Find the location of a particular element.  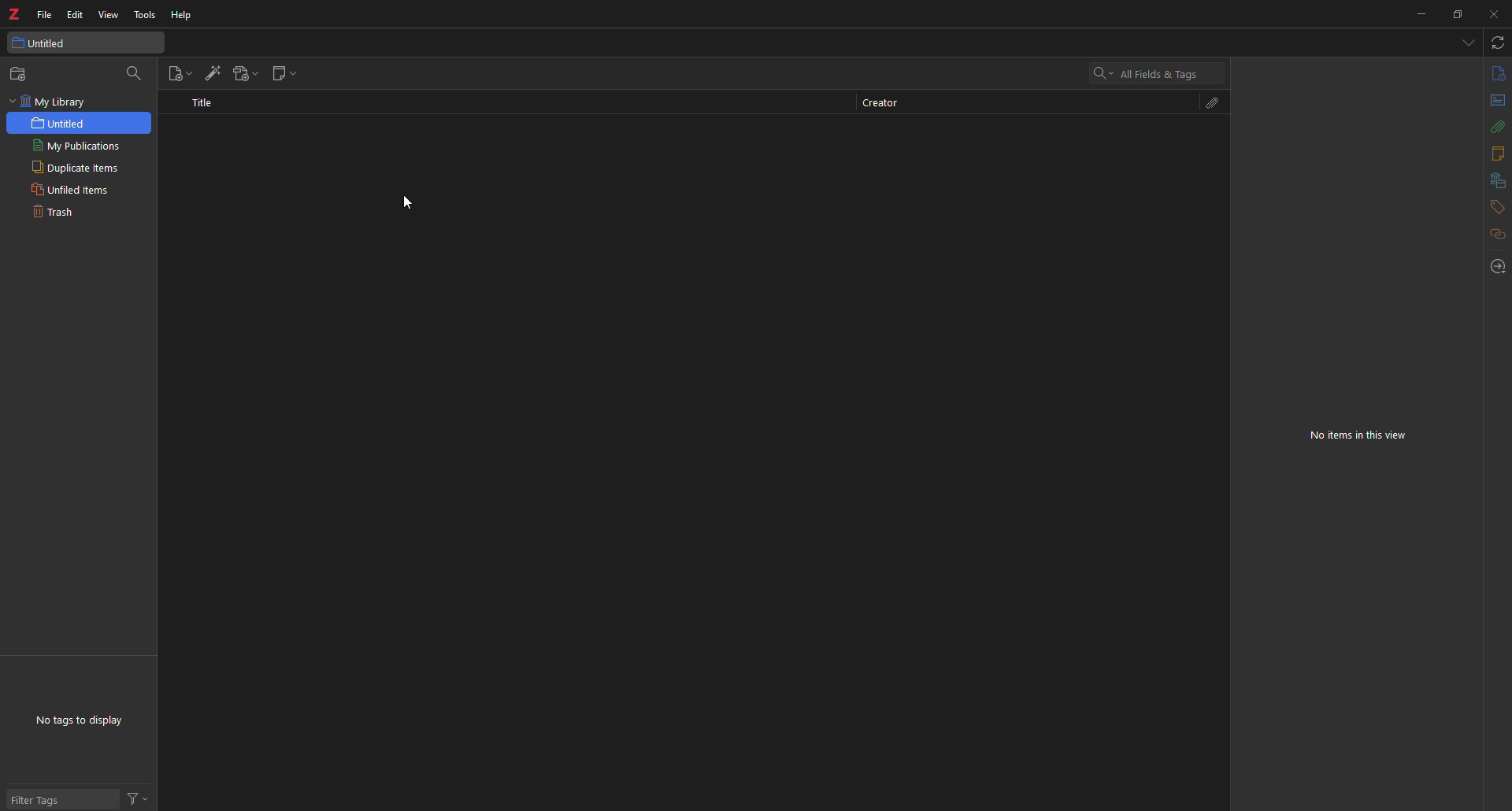

abstract is located at coordinates (1496, 101).